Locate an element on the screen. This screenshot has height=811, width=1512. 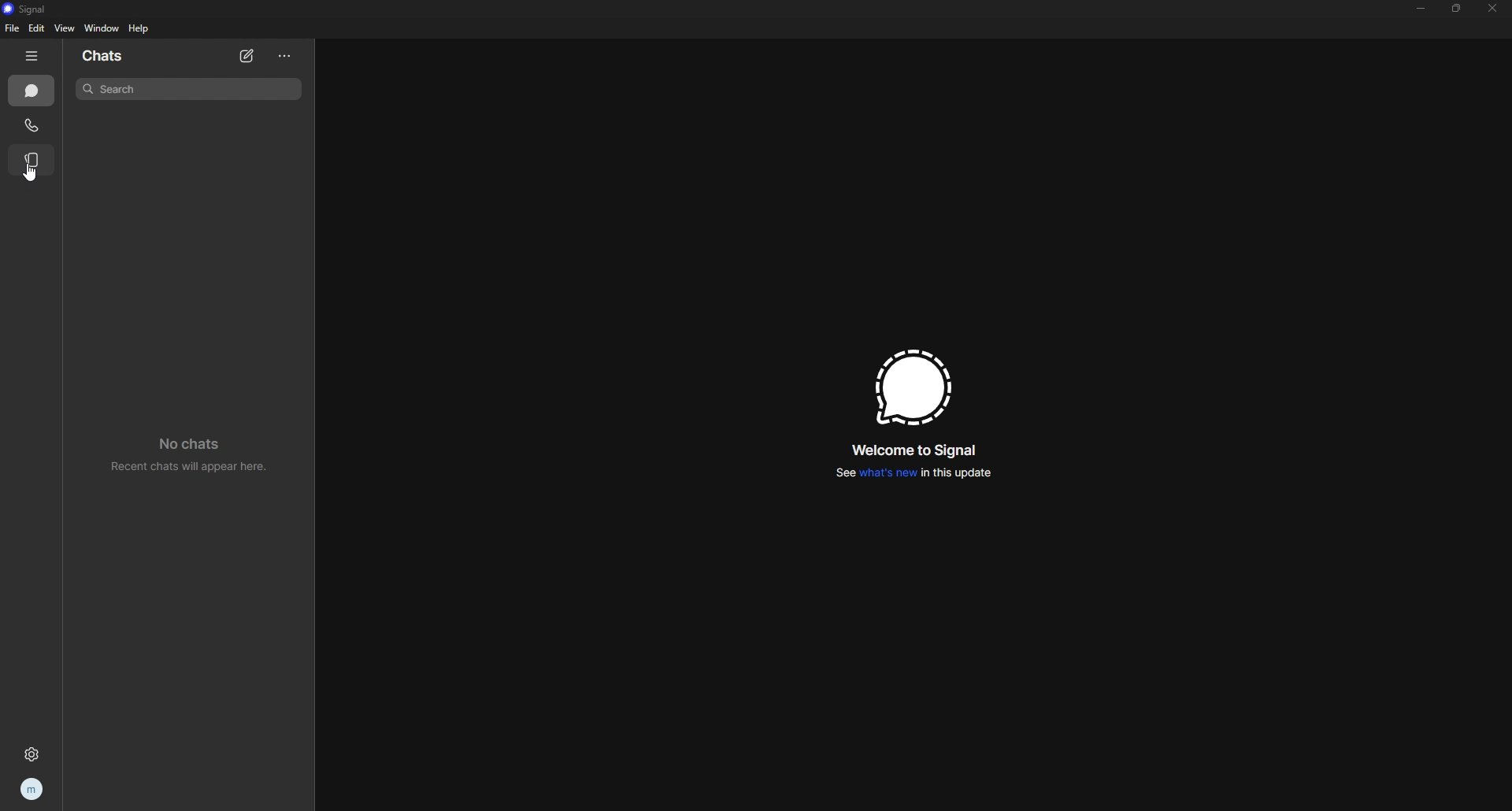
help is located at coordinates (140, 28).